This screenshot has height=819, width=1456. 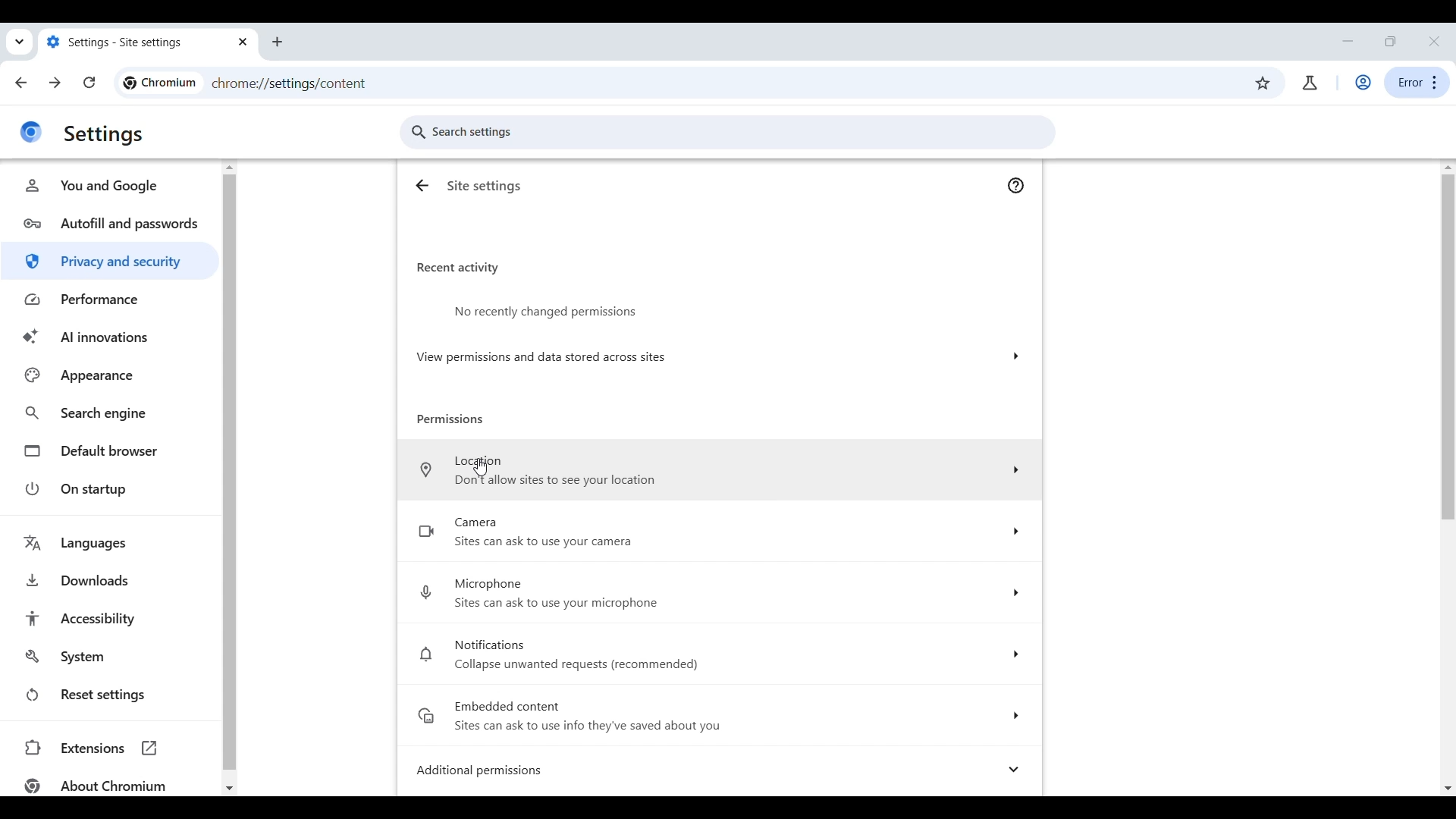 What do you see at coordinates (1310, 83) in the screenshot?
I see `Chrome labs` at bounding box center [1310, 83].